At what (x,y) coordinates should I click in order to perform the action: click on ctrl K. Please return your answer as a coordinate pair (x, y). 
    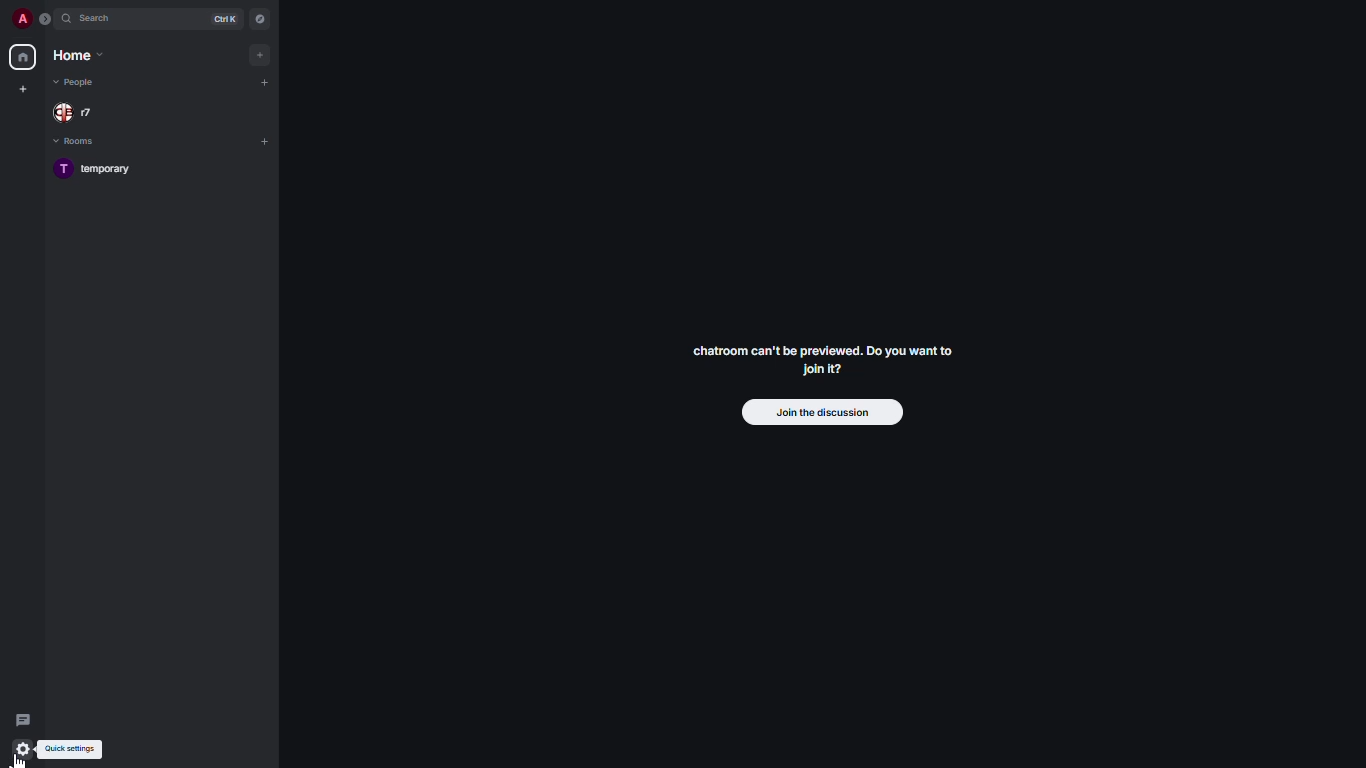
    Looking at the image, I should click on (224, 19).